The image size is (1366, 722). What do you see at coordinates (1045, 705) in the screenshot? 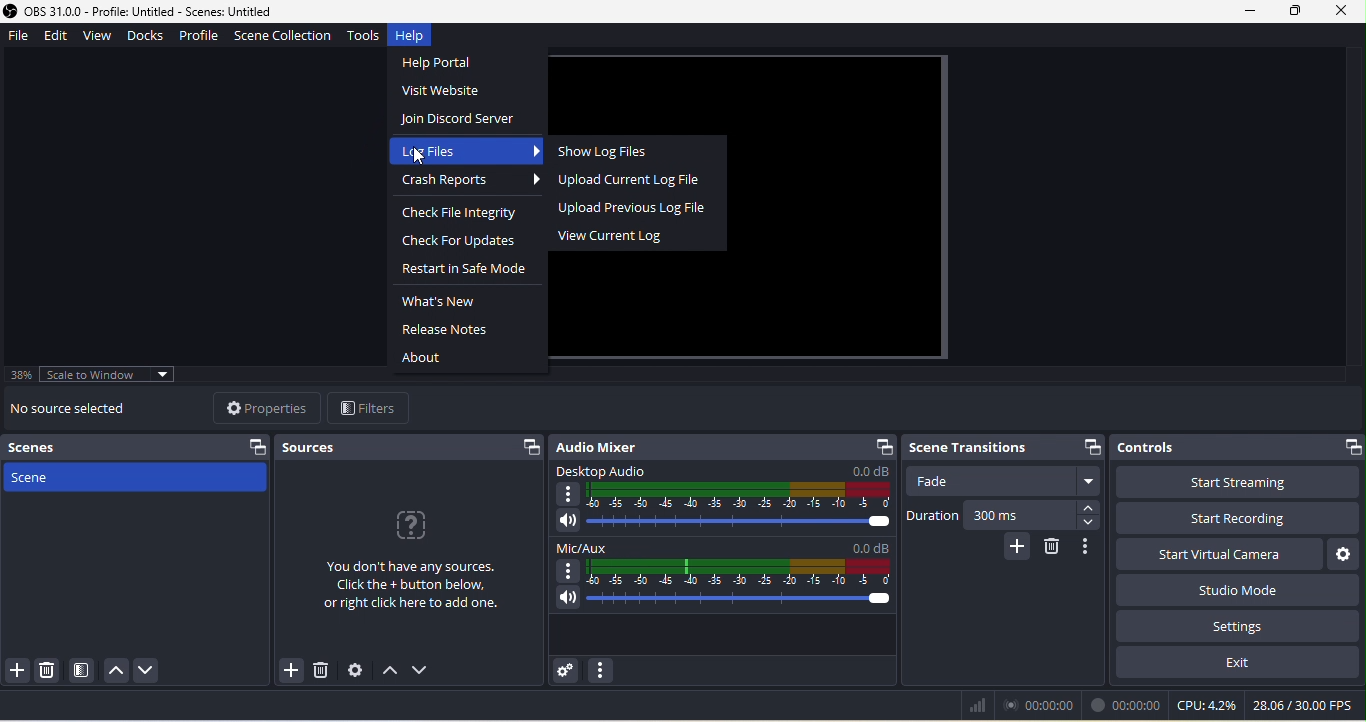
I see `00.00.00` at bounding box center [1045, 705].